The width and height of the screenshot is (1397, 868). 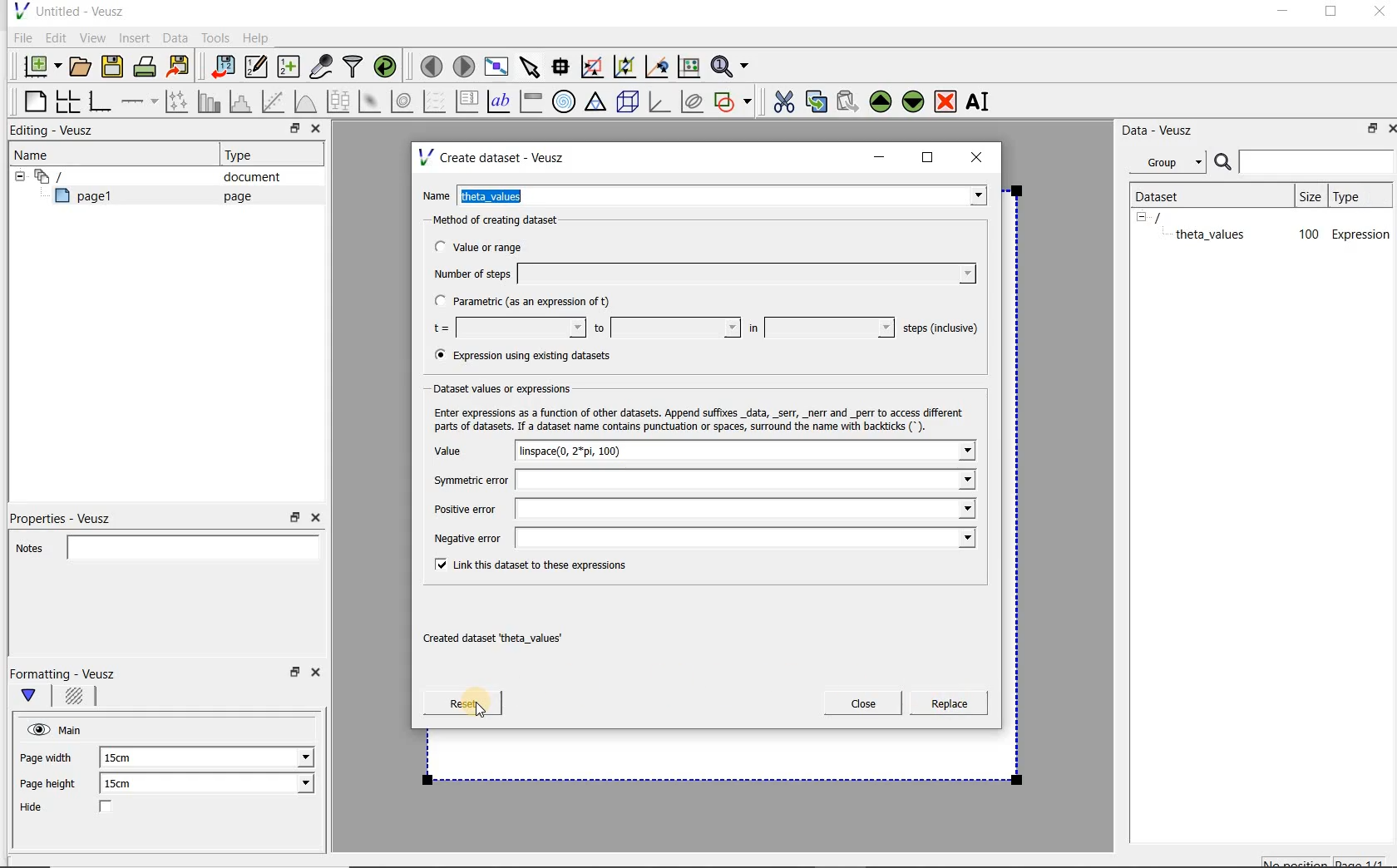 I want to click on Link this dataset to these expressions, so click(x=526, y=566).